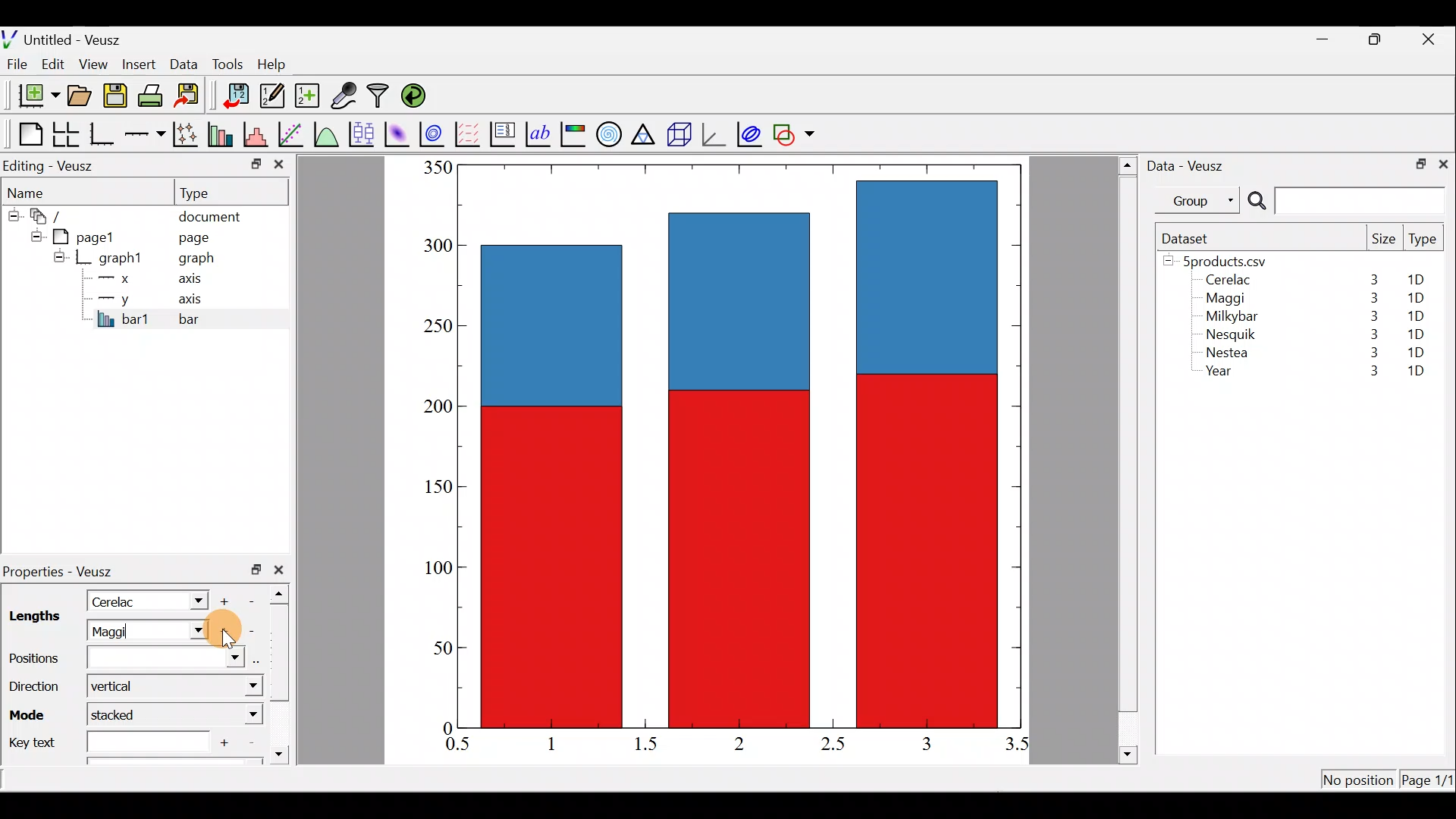  I want to click on Positions, so click(127, 659).